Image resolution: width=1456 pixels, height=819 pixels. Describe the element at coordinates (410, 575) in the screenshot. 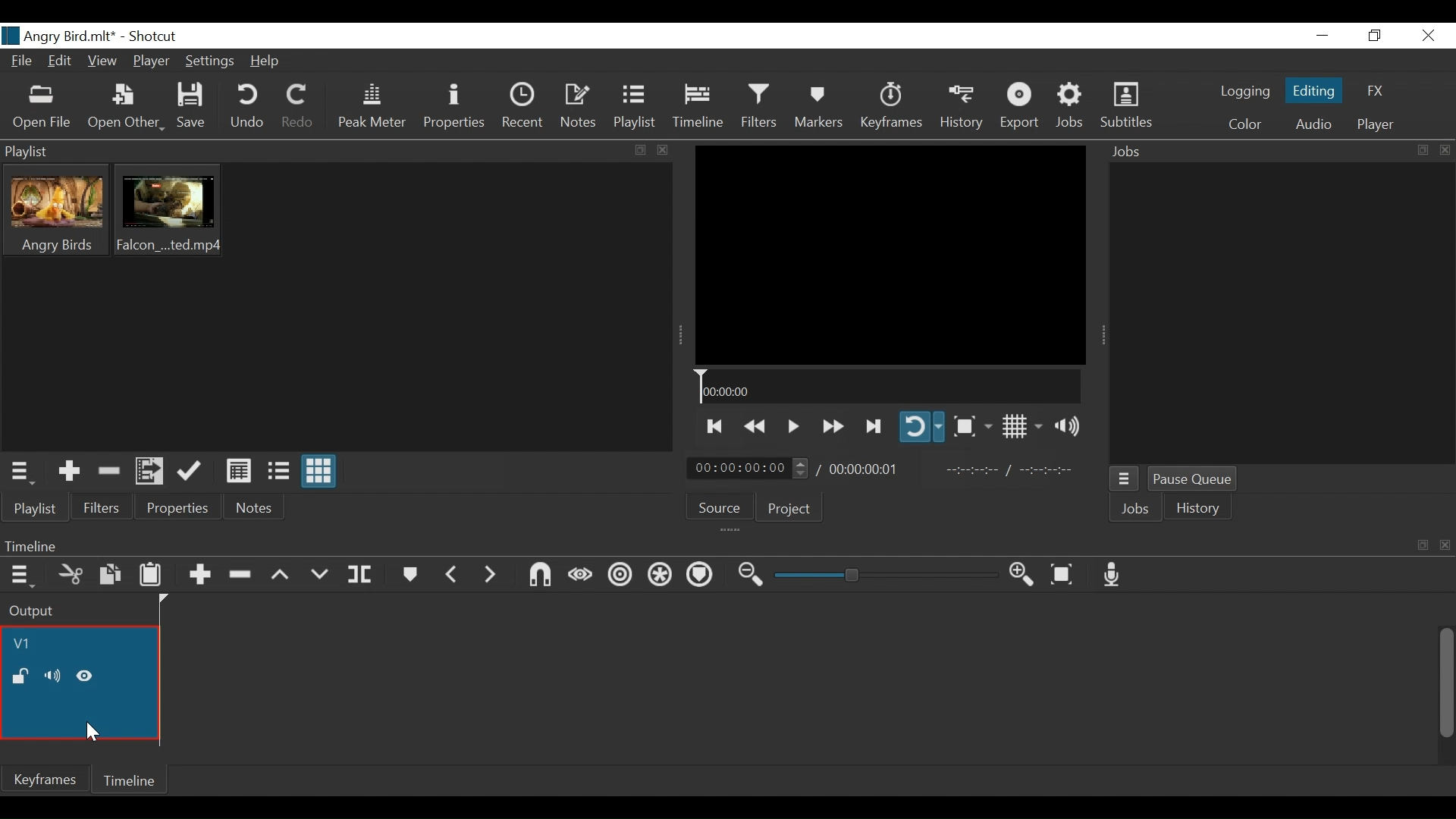

I see `Markers` at that location.